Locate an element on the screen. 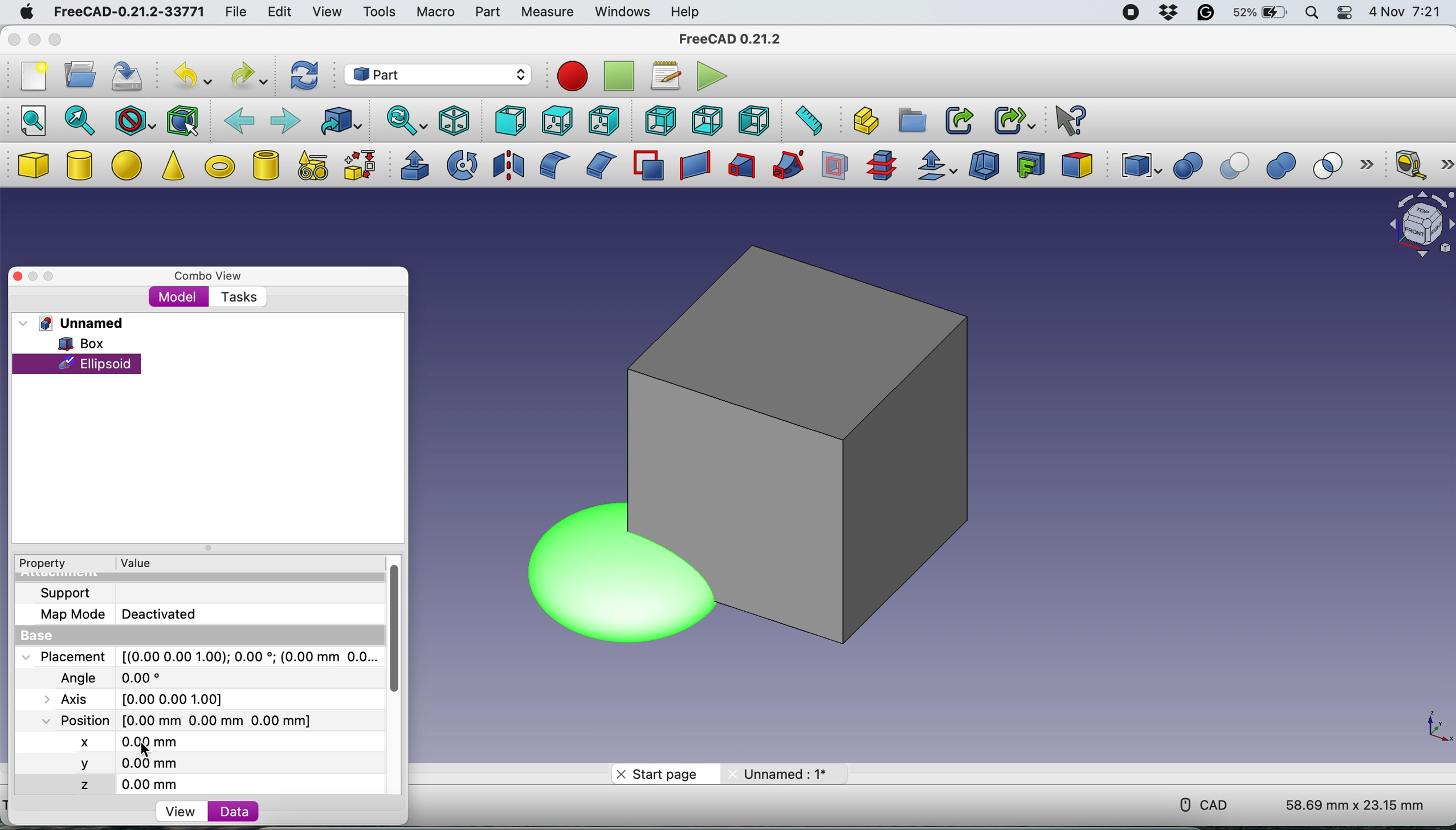 Image resolution: width=1456 pixels, height=830 pixels. bottom is located at coordinates (708, 121).